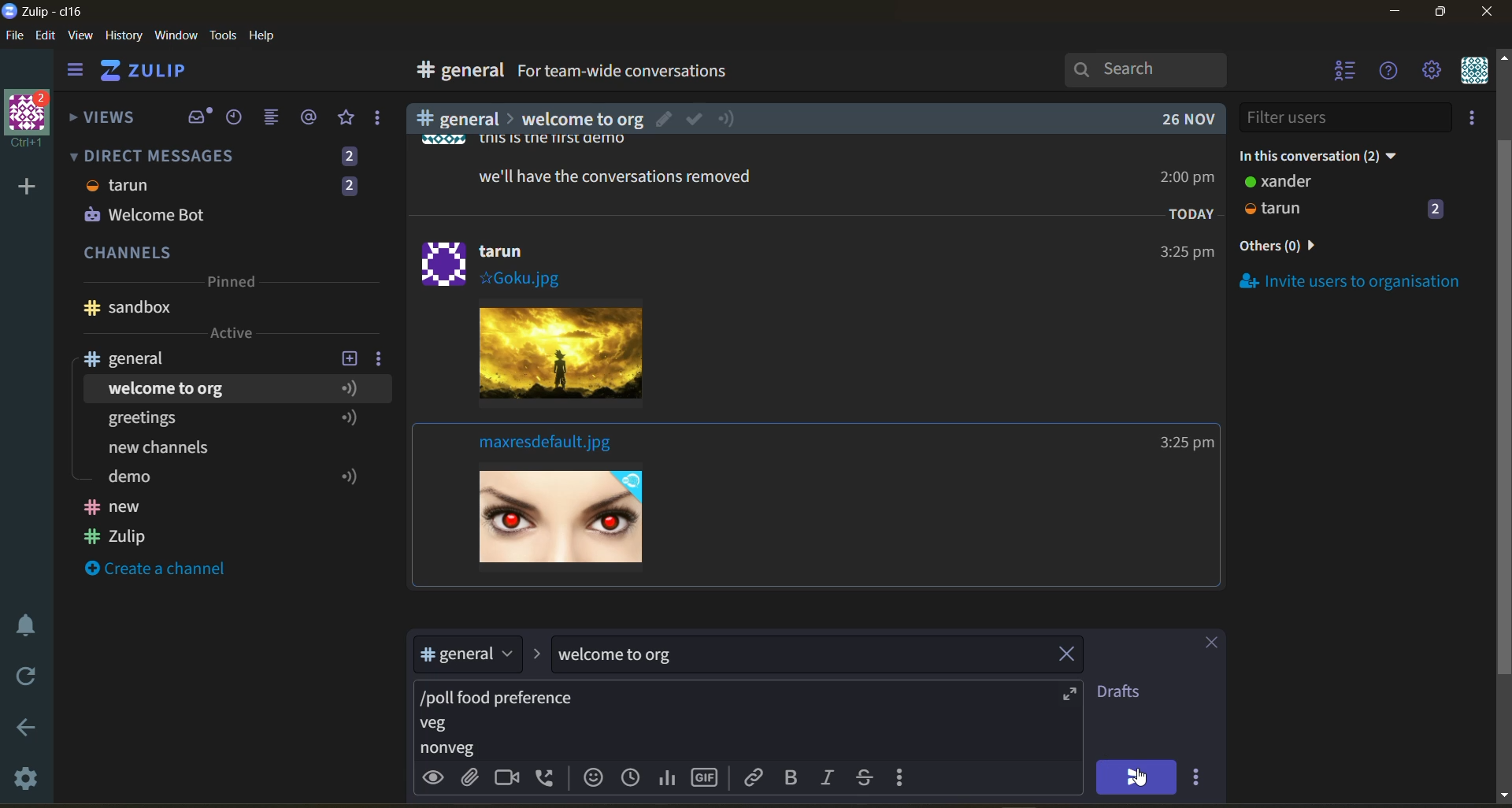  Describe the element at coordinates (1431, 72) in the screenshot. I see `settings menu` at that location.